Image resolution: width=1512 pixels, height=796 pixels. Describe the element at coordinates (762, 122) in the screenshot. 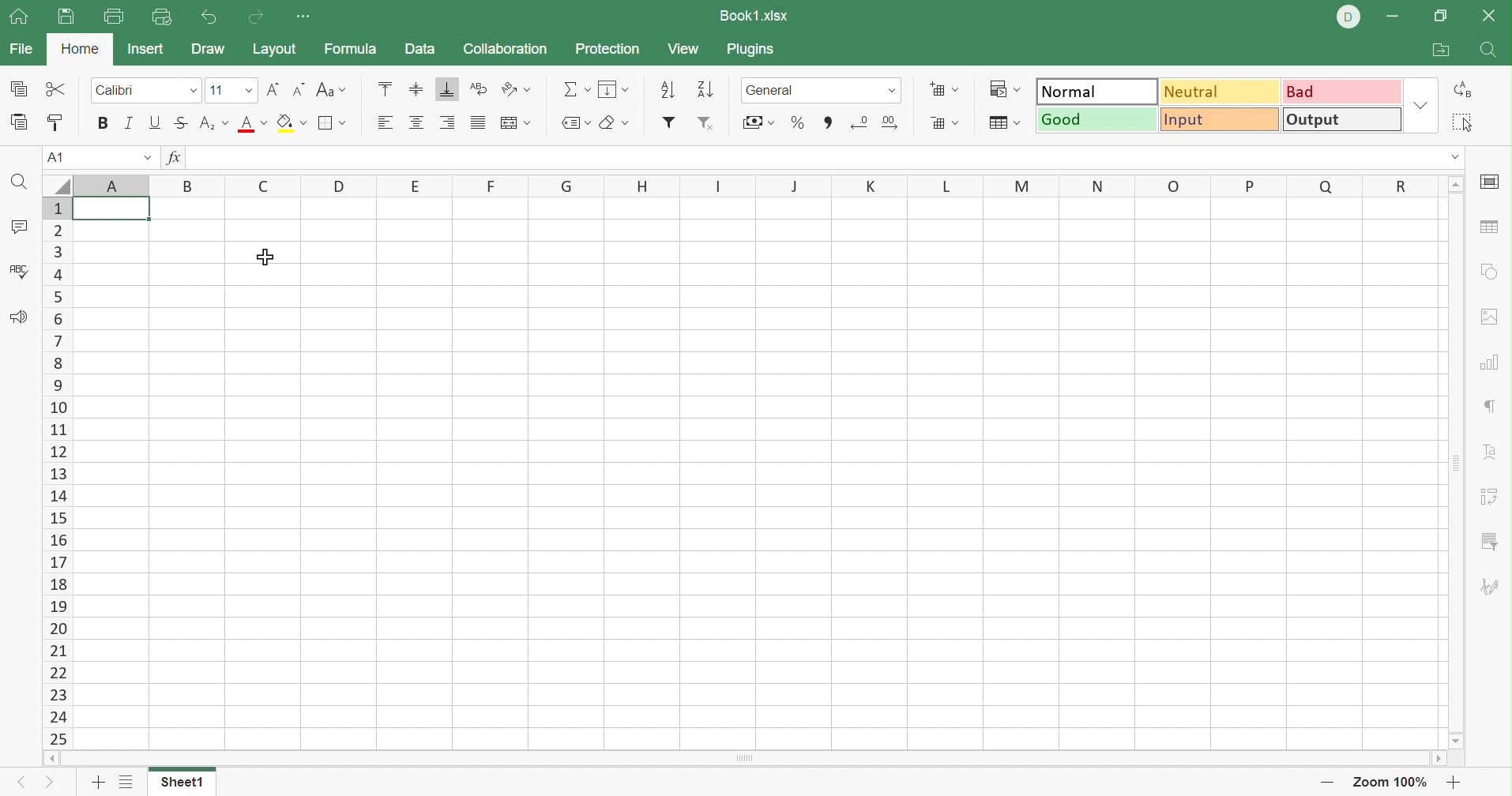

I see `Accunting style` at that location.